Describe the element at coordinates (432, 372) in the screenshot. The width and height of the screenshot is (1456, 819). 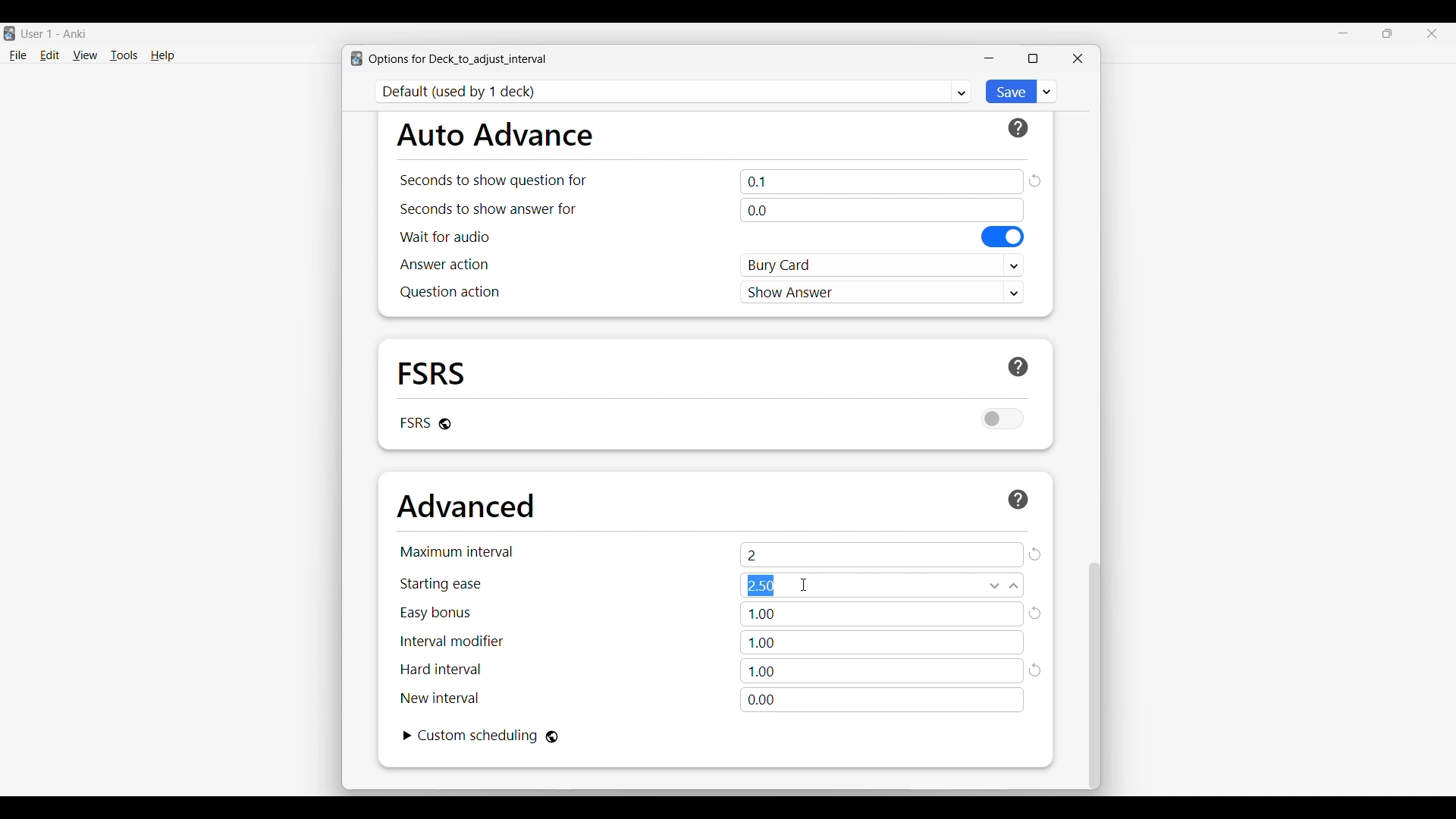
I see `FSRS` at that location.